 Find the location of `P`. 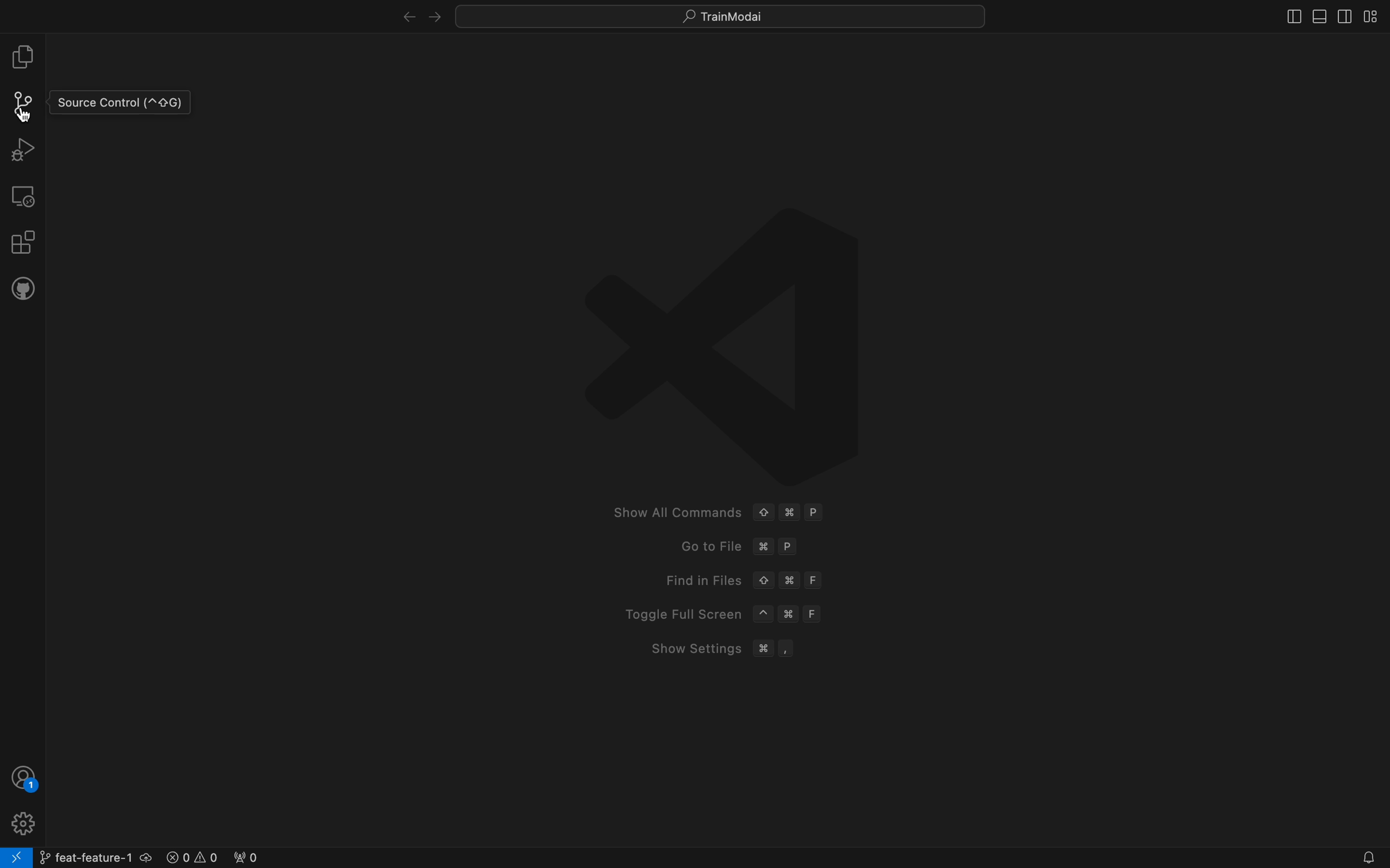

P is located at coordinates (817, 511).